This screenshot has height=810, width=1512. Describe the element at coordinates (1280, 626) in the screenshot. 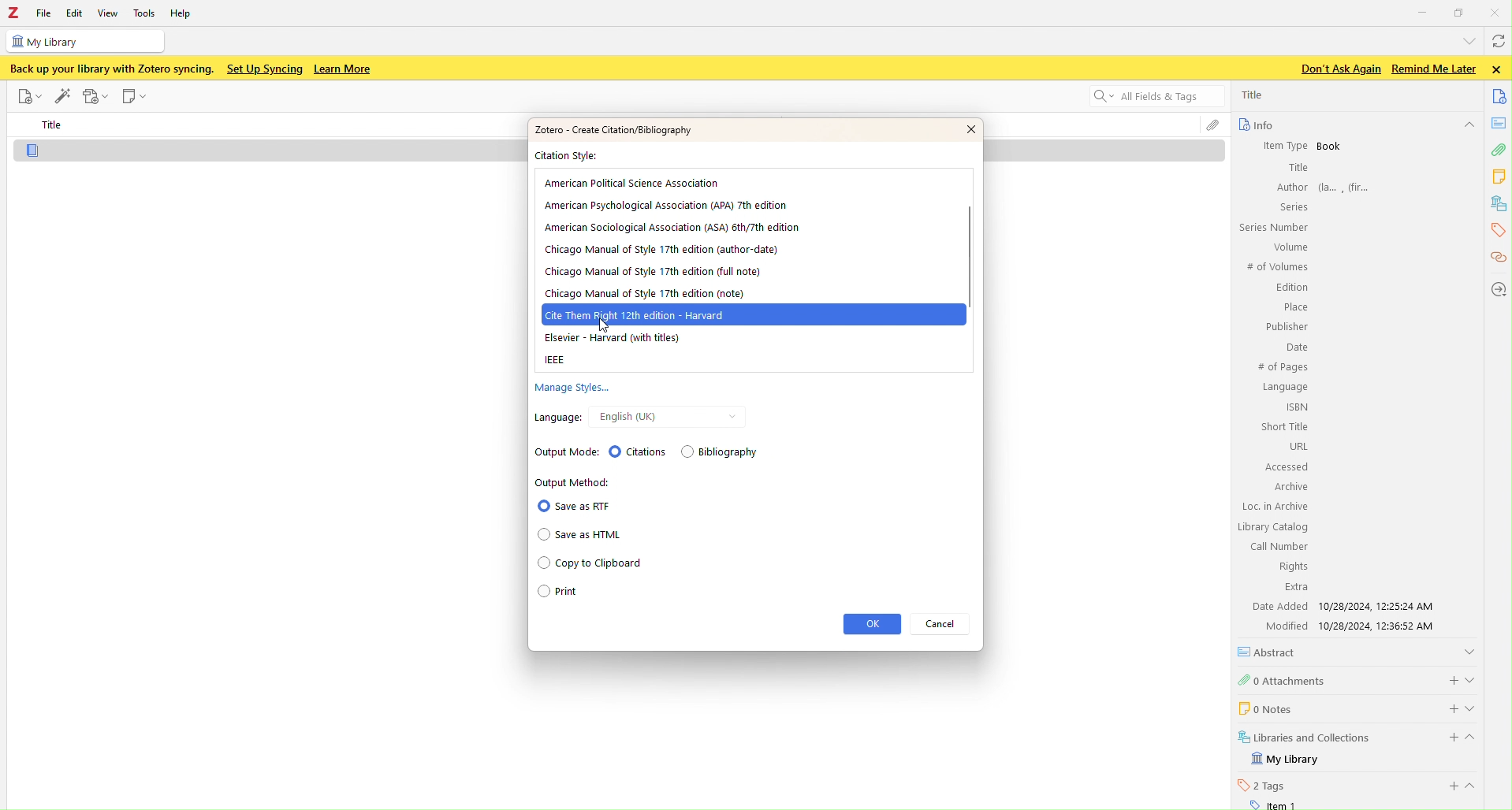

I see `‘Modified` at that location.